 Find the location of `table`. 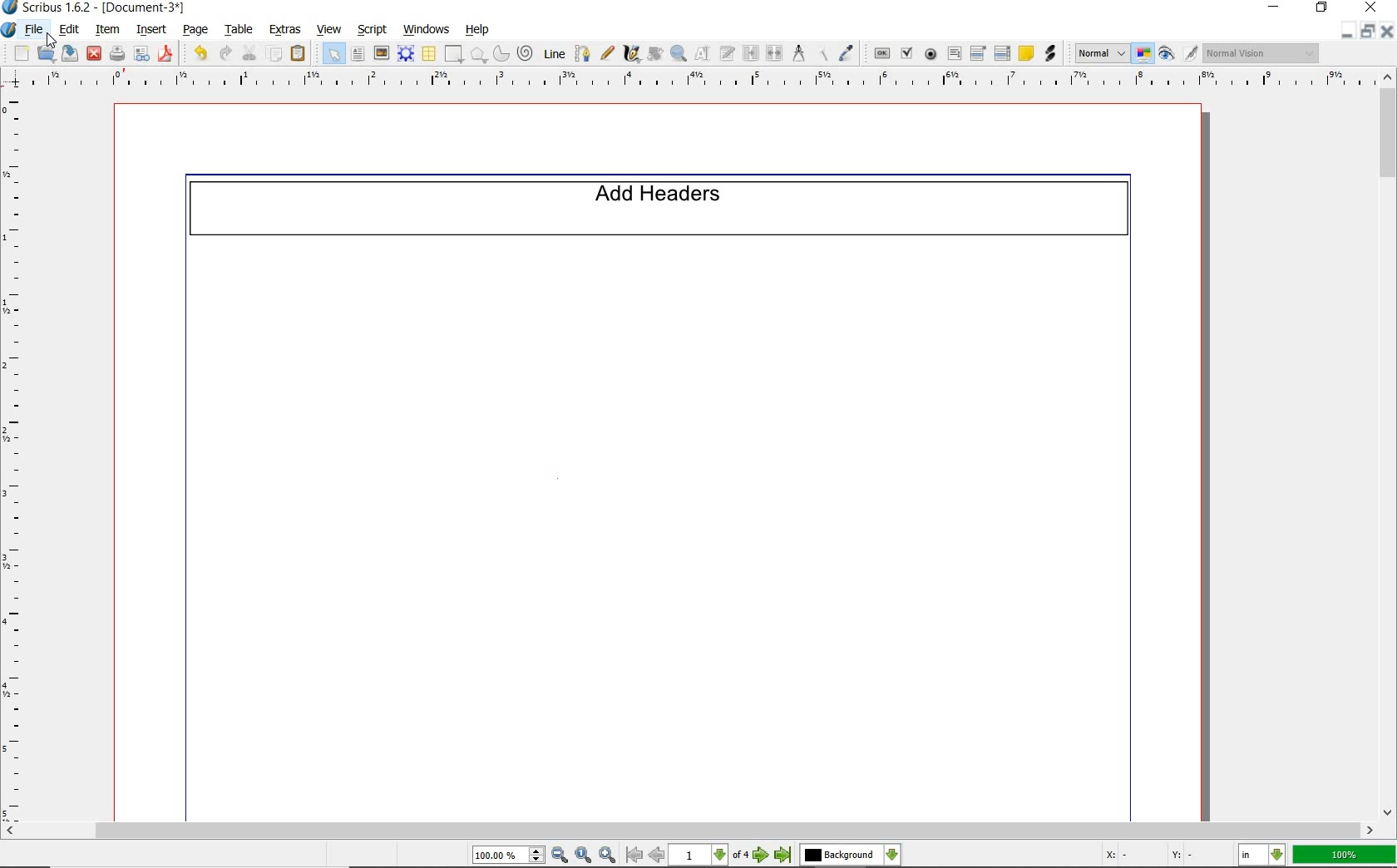

table is located at coordinates (429, 55).